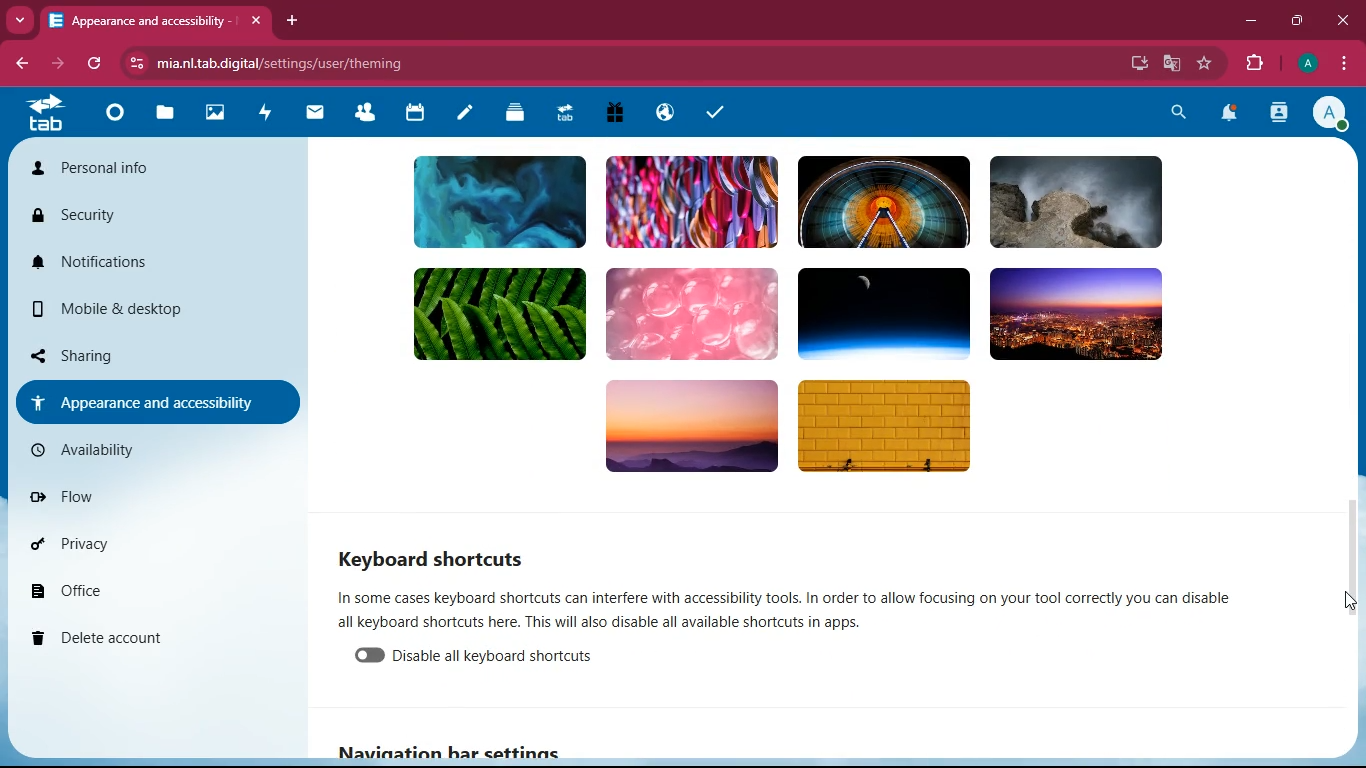 The width and height of the screenshot is (1366, 768). What do you see at coordinates (150, 403) in the screenshot?
I see `appearance` at bounding box center [150, 403].